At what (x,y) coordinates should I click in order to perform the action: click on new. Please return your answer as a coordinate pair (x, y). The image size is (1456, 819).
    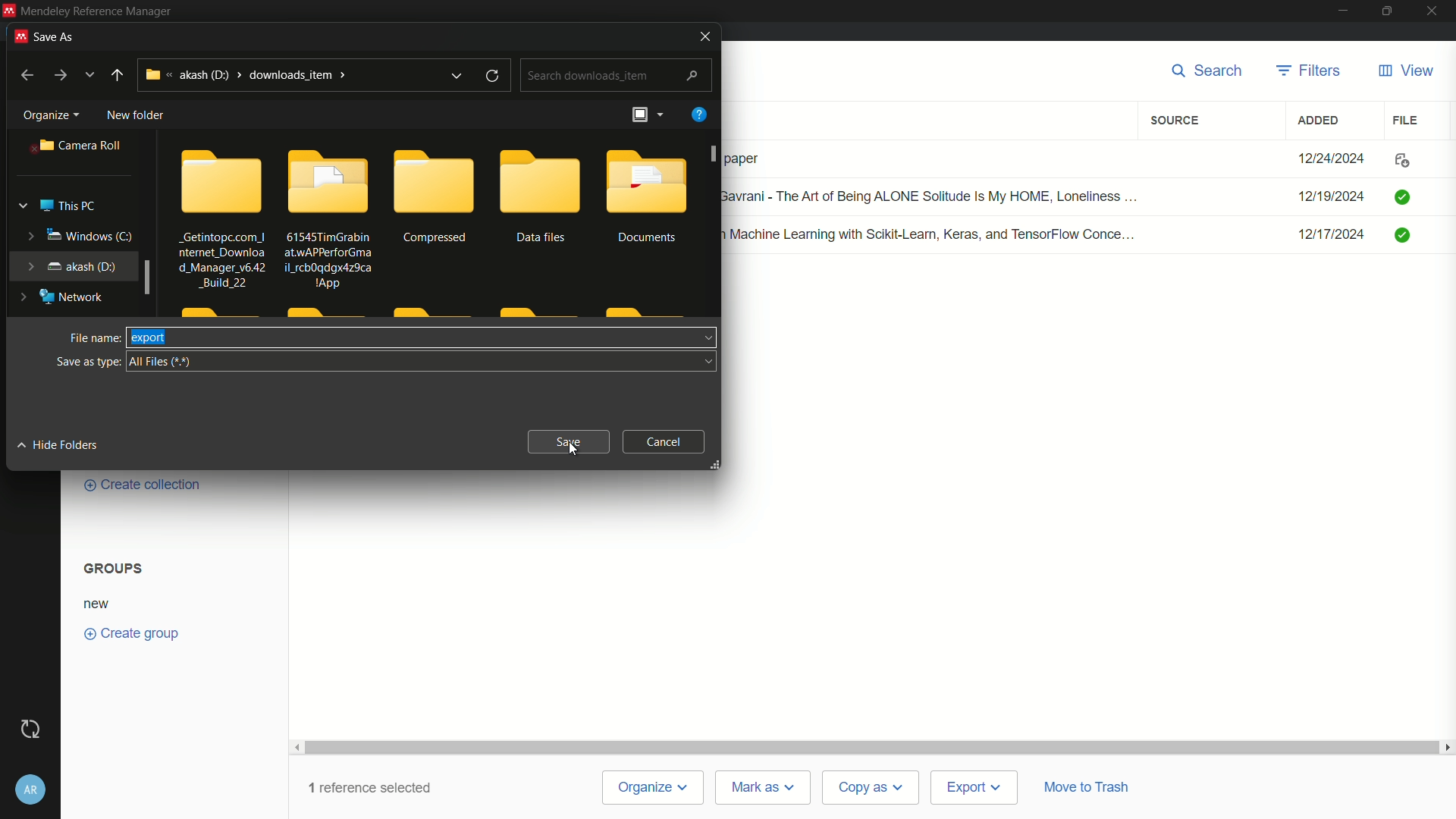
    Looking at the image, I should click on (99, 604).